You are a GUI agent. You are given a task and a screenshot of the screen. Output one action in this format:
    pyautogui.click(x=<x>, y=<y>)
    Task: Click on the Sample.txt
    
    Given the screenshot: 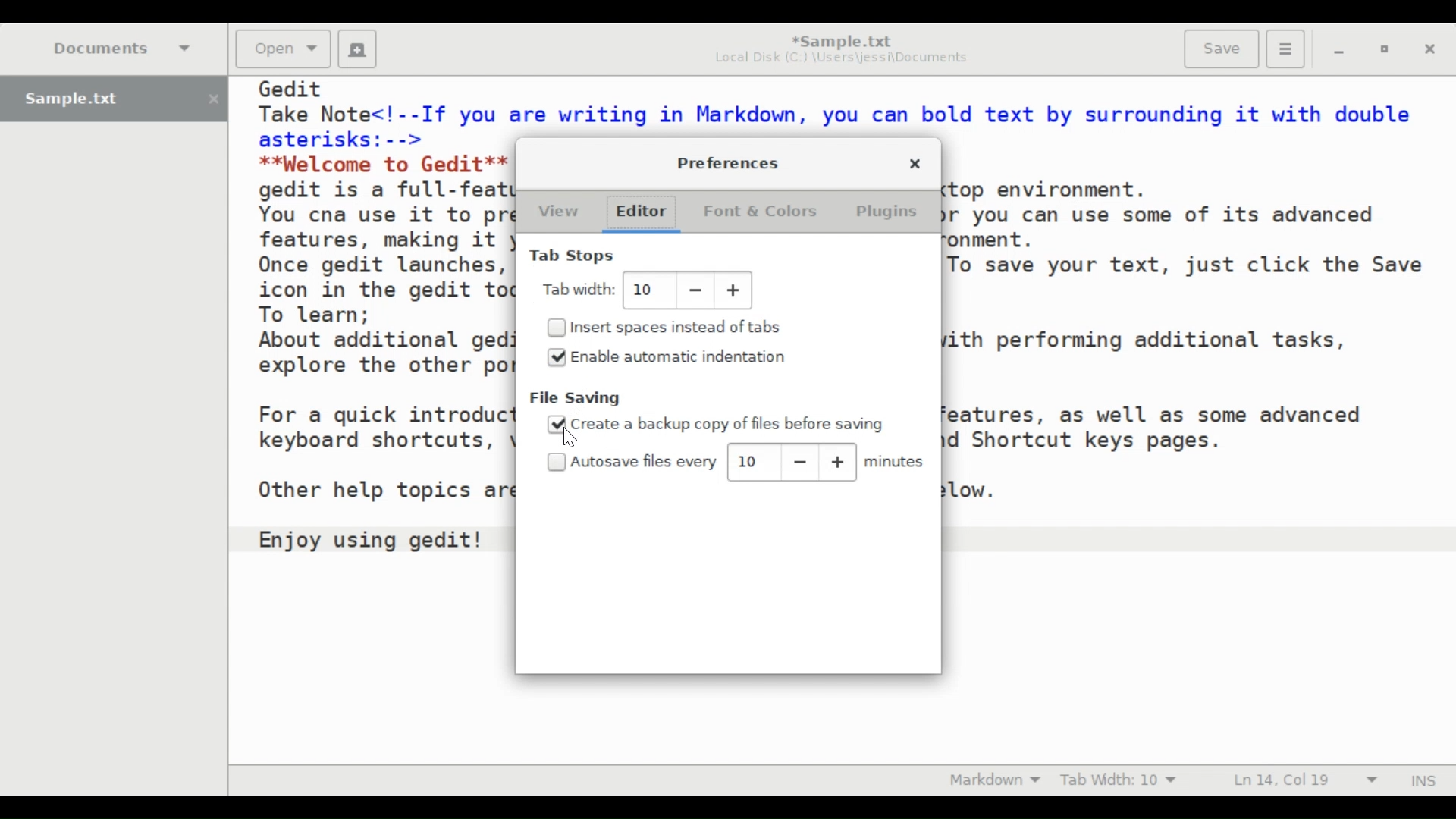 What is the action you would take?
    pyautogui.click(x=114, y=99)
    